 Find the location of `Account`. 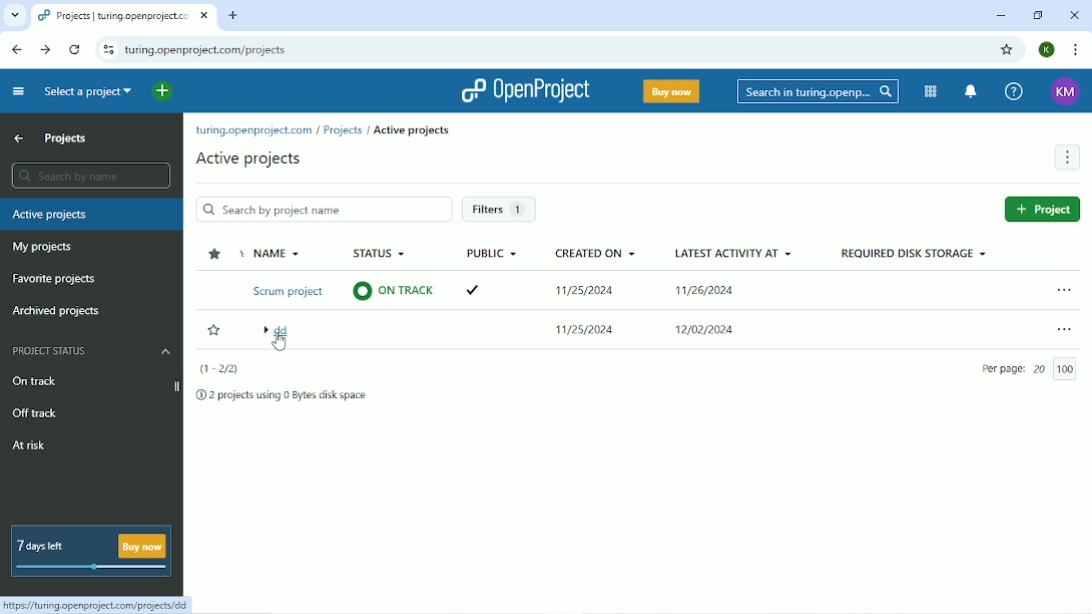

Account is located at coordinates (1047, 50).